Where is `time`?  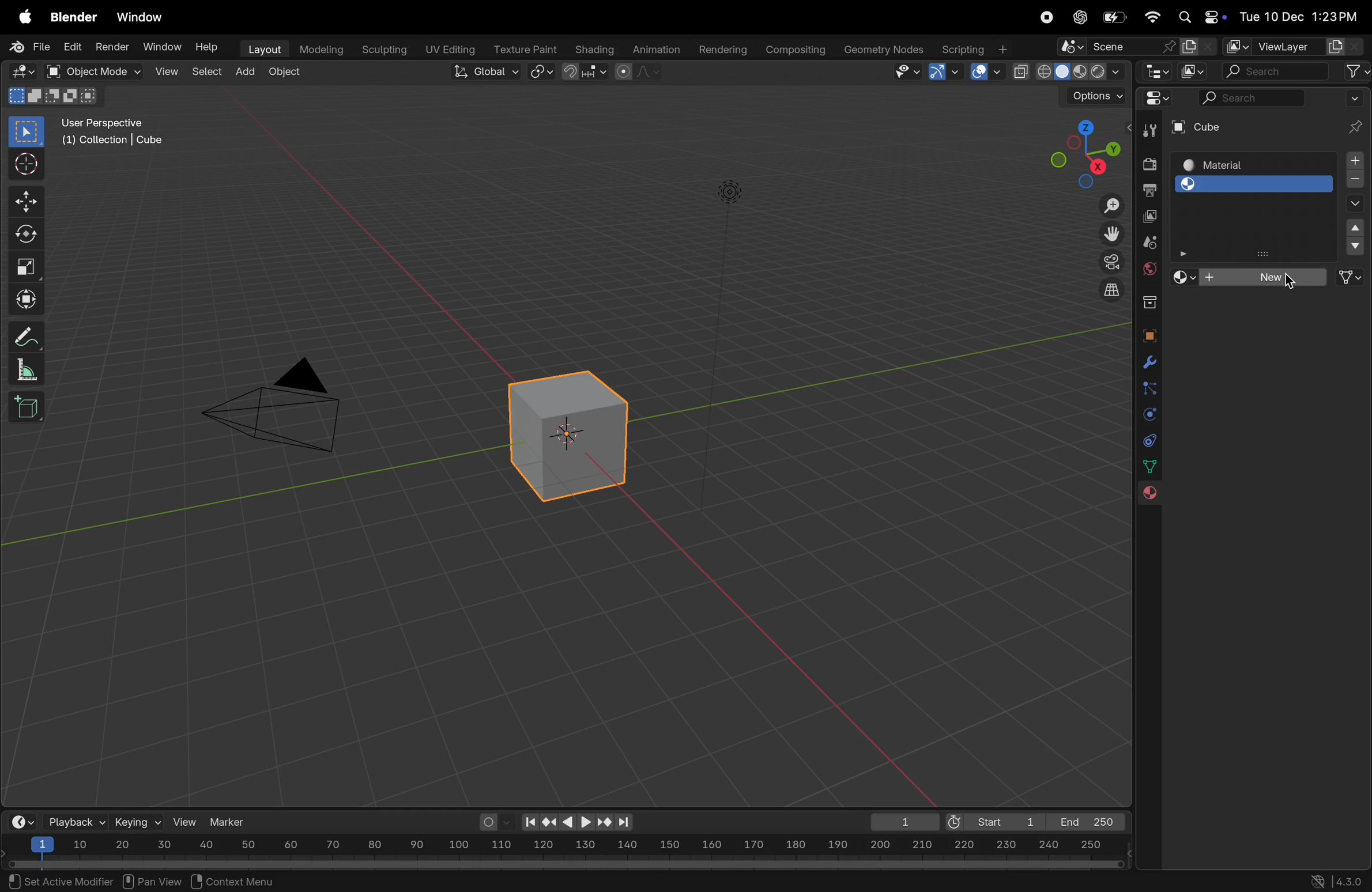 time is located at coordinates (20, 821).